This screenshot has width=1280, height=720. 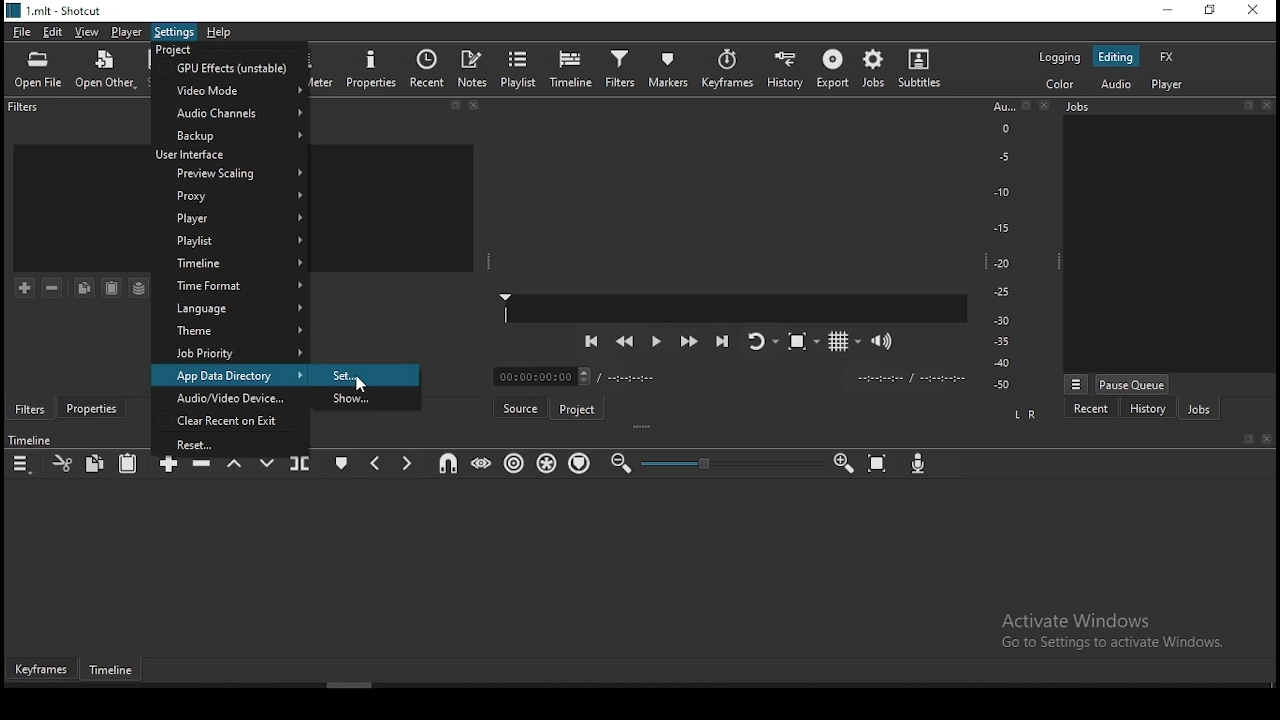 What do you see at coordinates (231, 241) in the screenshot?
I see `playlist` at bounding box center [231, 241].